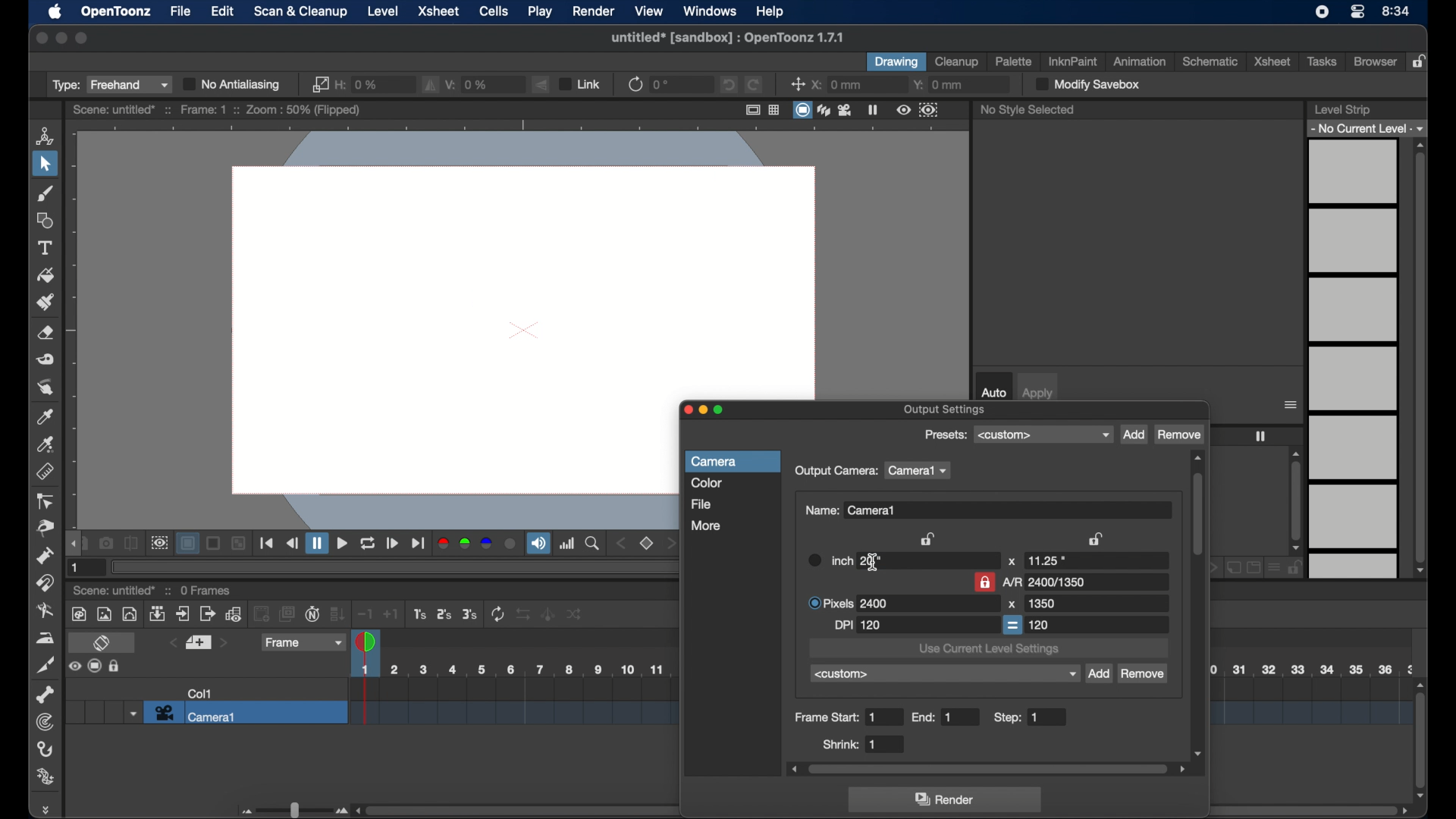 The image size is (1456, 819). What do you see at coordinates (262, 613) in the screenshot?
I see `` at bounding box center [262, 613].